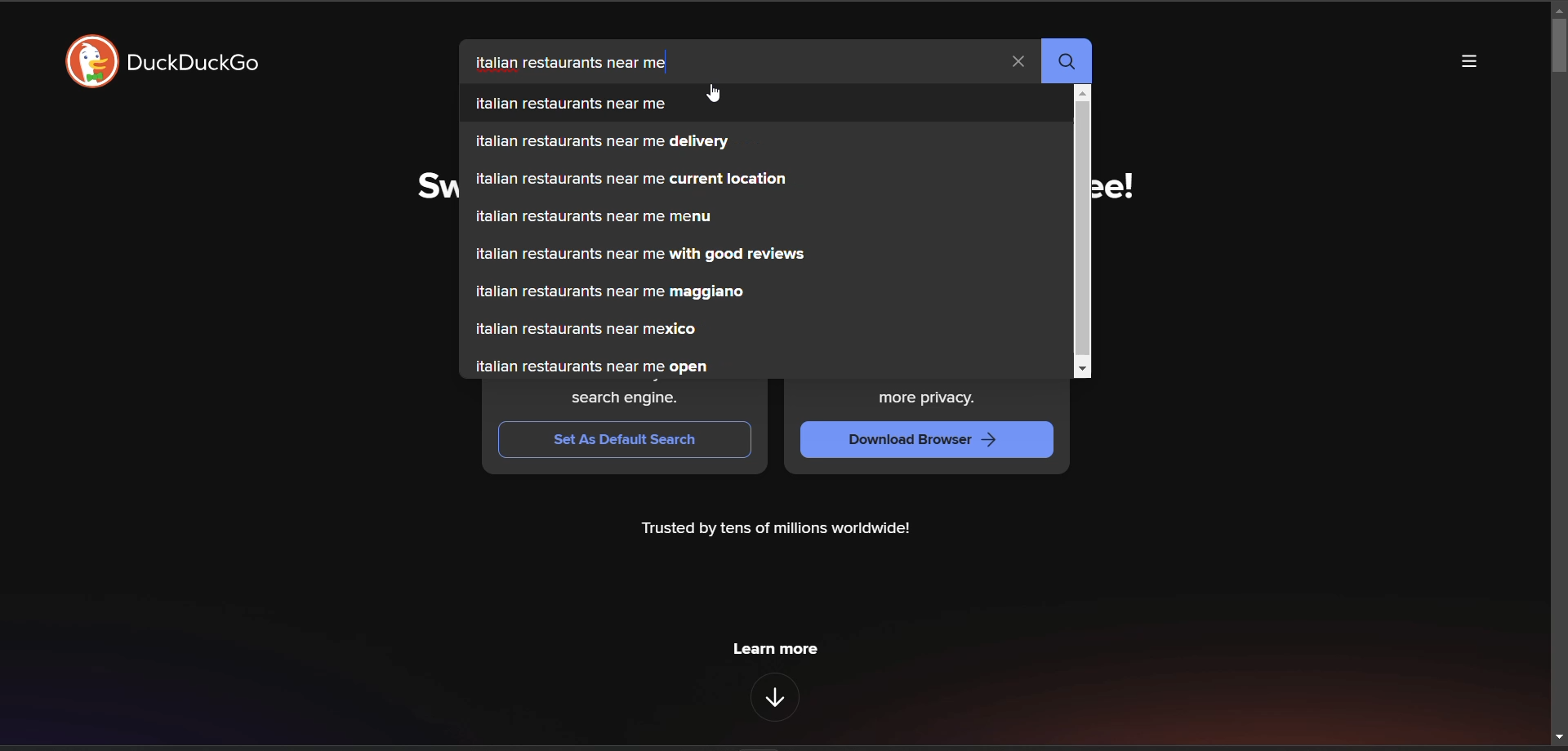 The image size is (1568, 751). Describe the element at coordinates (767, 142) in the screenshot. I see `italian restaurants near me delivery` at that location.